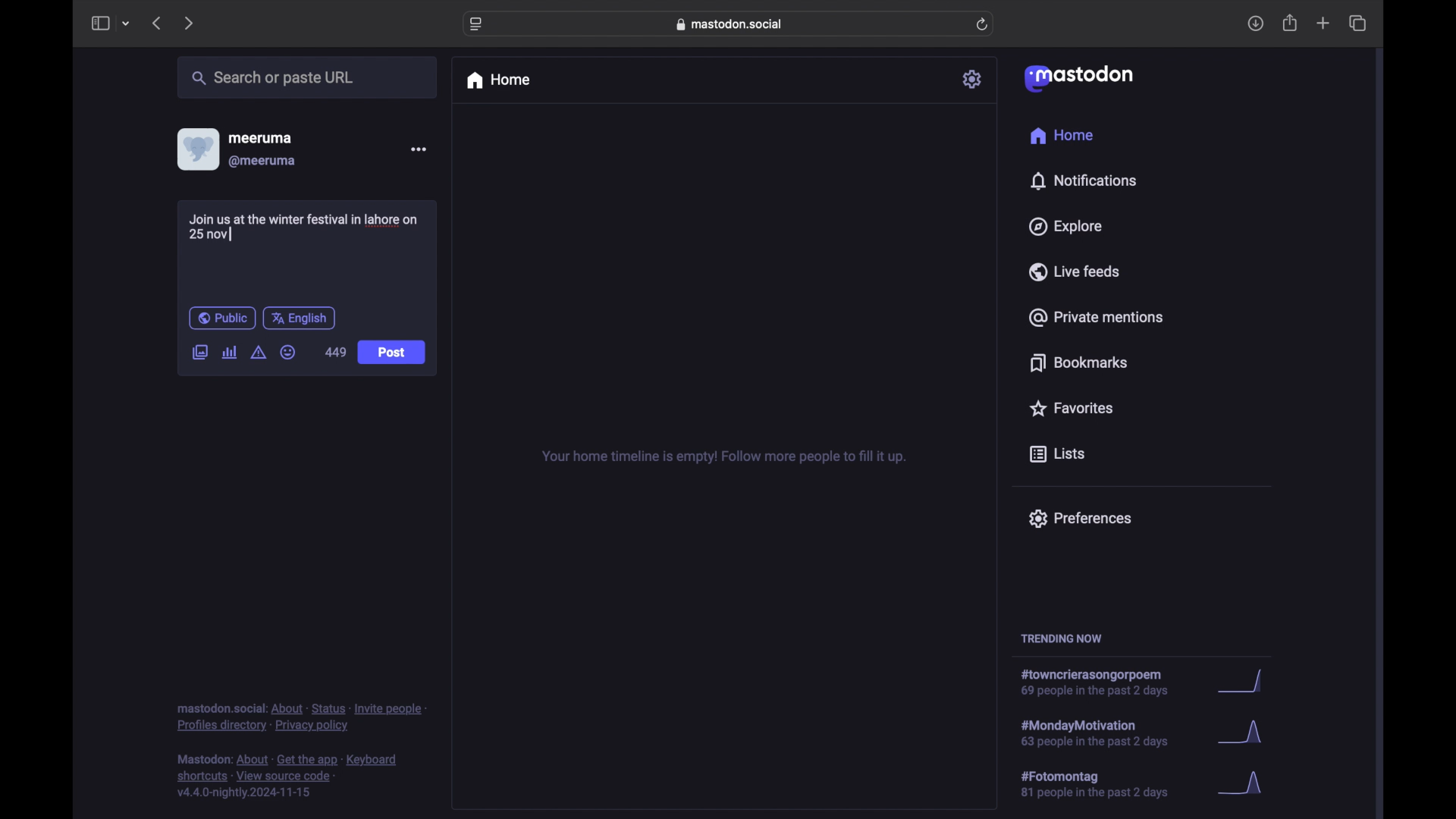 The image size is (1456, 819). I want to click on settings, so click(974, 79).